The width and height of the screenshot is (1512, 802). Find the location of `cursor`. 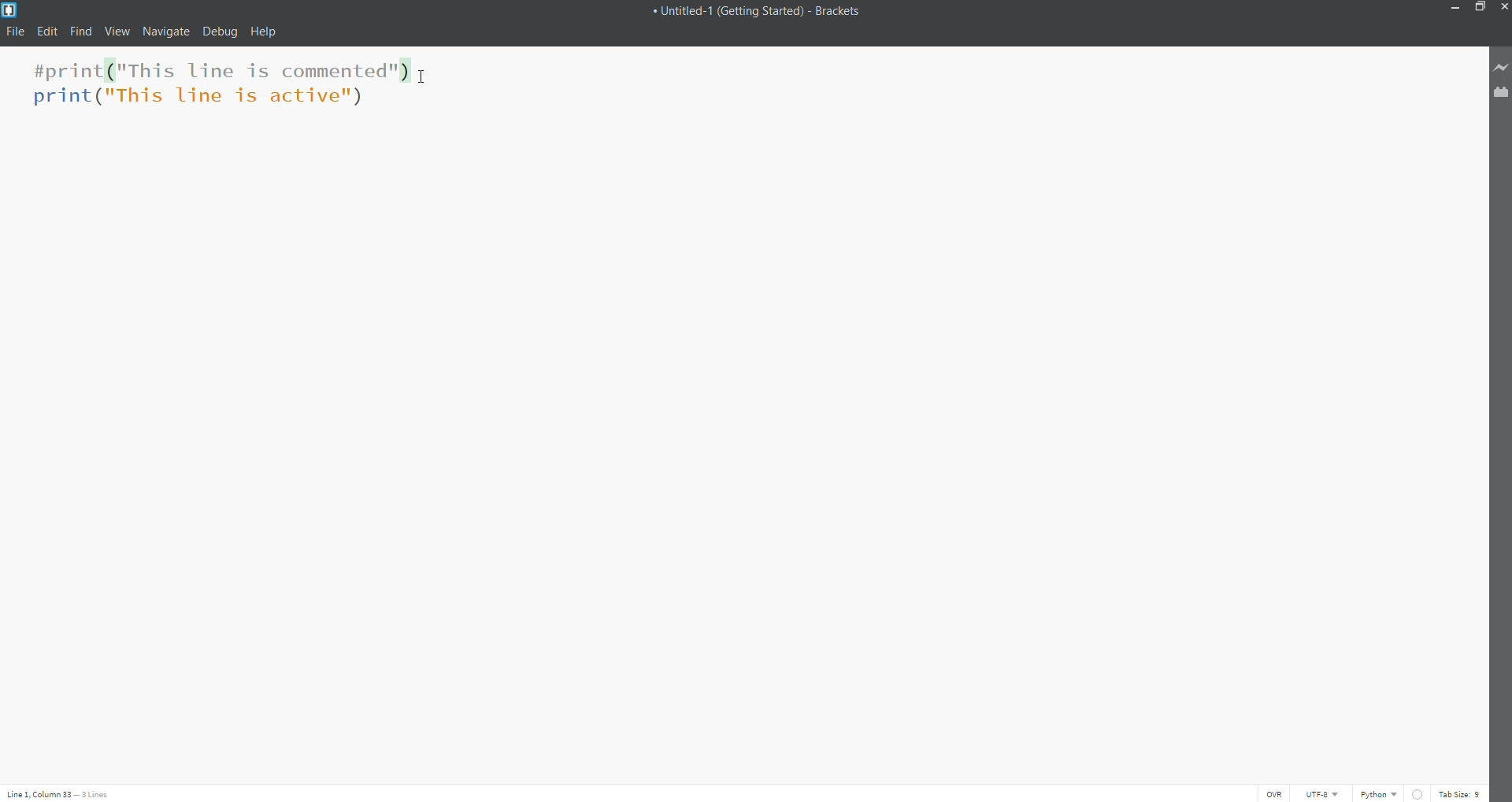

cursor is located at coordinates (422, 79).